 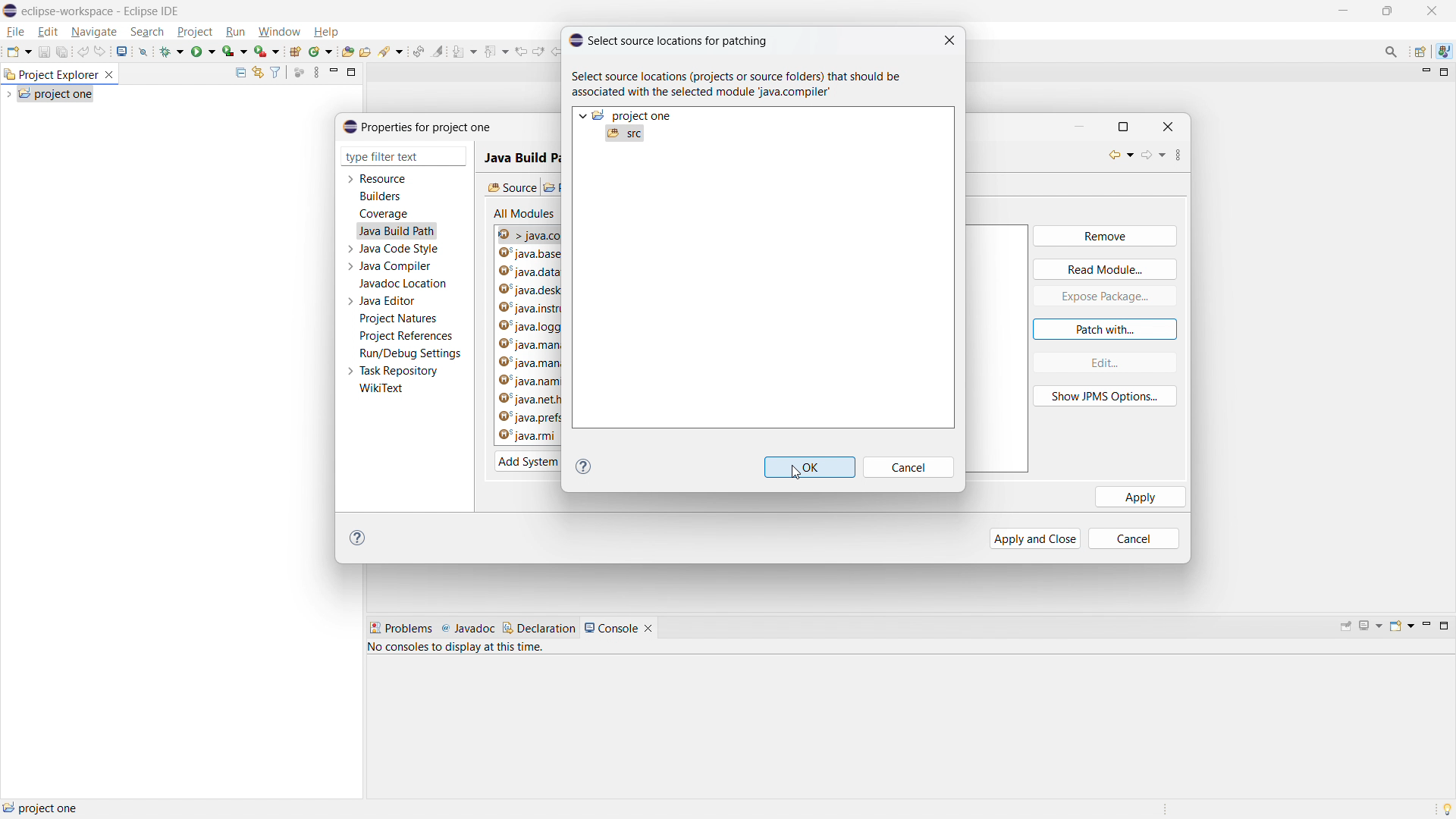 What do you see at coordinates (411, 353) in the screenshot?
I see `run/debug settings` at bounding box center [411, 353].